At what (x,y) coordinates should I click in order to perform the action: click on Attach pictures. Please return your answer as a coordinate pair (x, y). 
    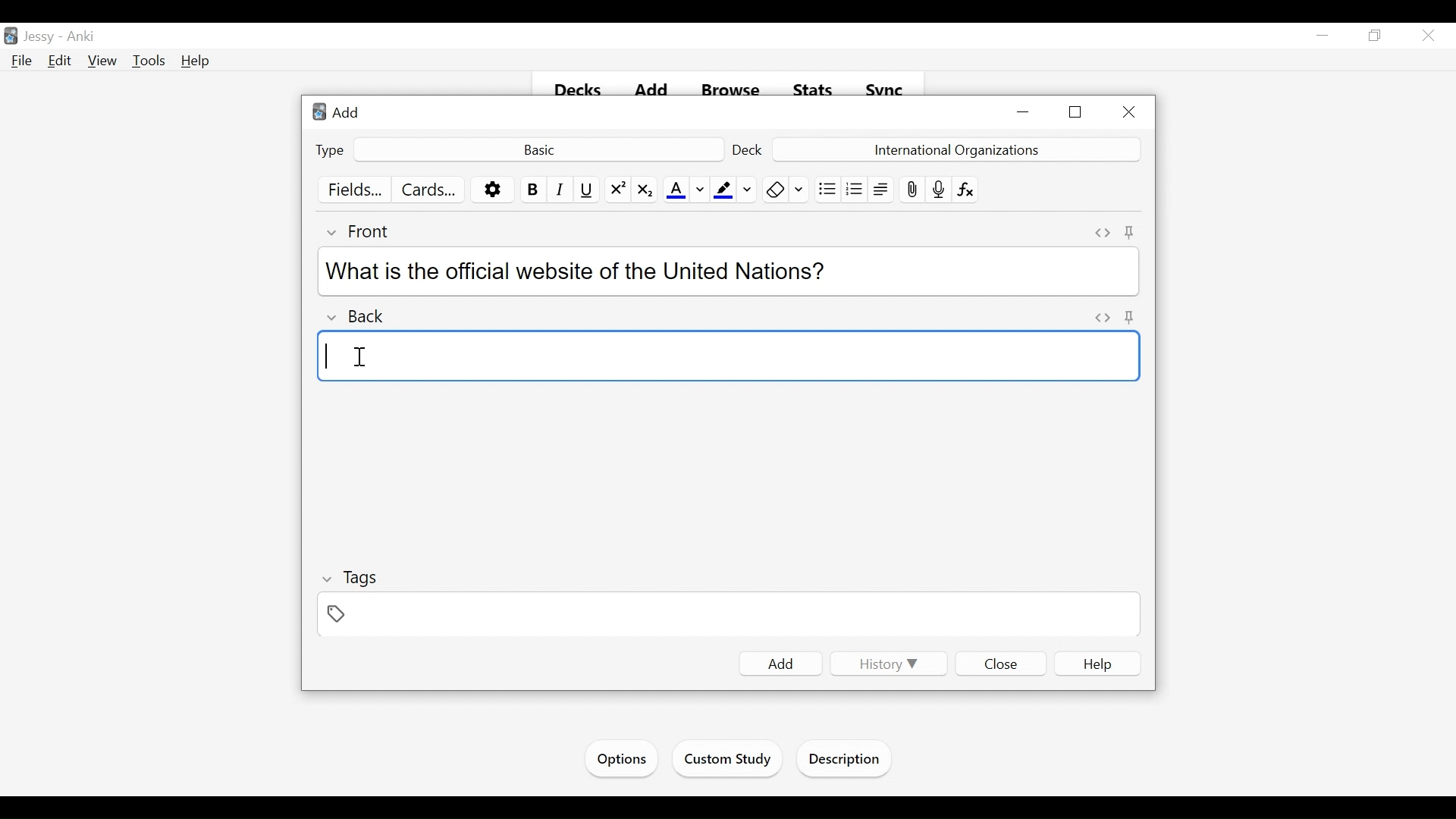
    Looking at the image, I should click on (912, 189).